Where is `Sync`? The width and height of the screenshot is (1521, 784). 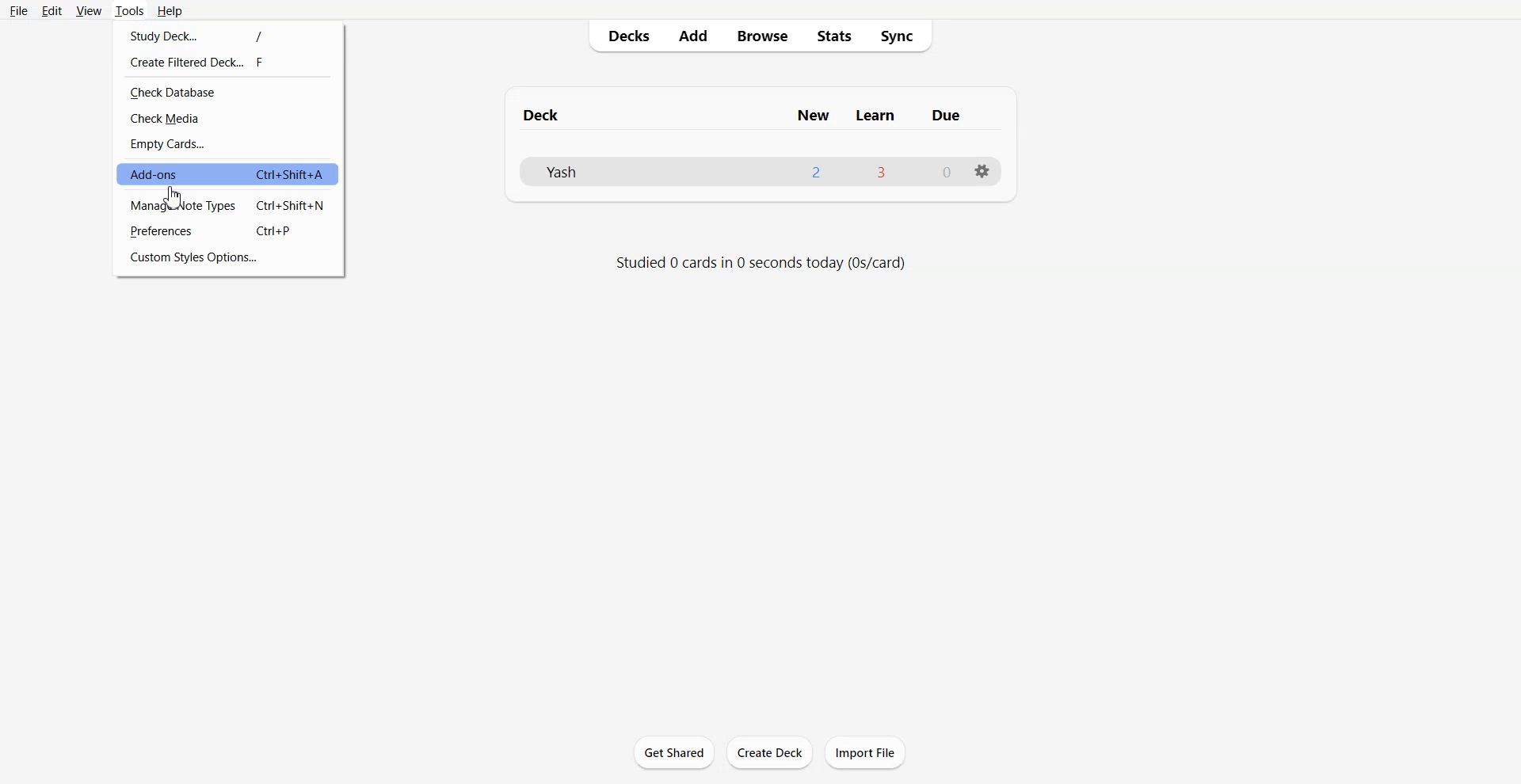 Sync is located at coordinates (904, 36).